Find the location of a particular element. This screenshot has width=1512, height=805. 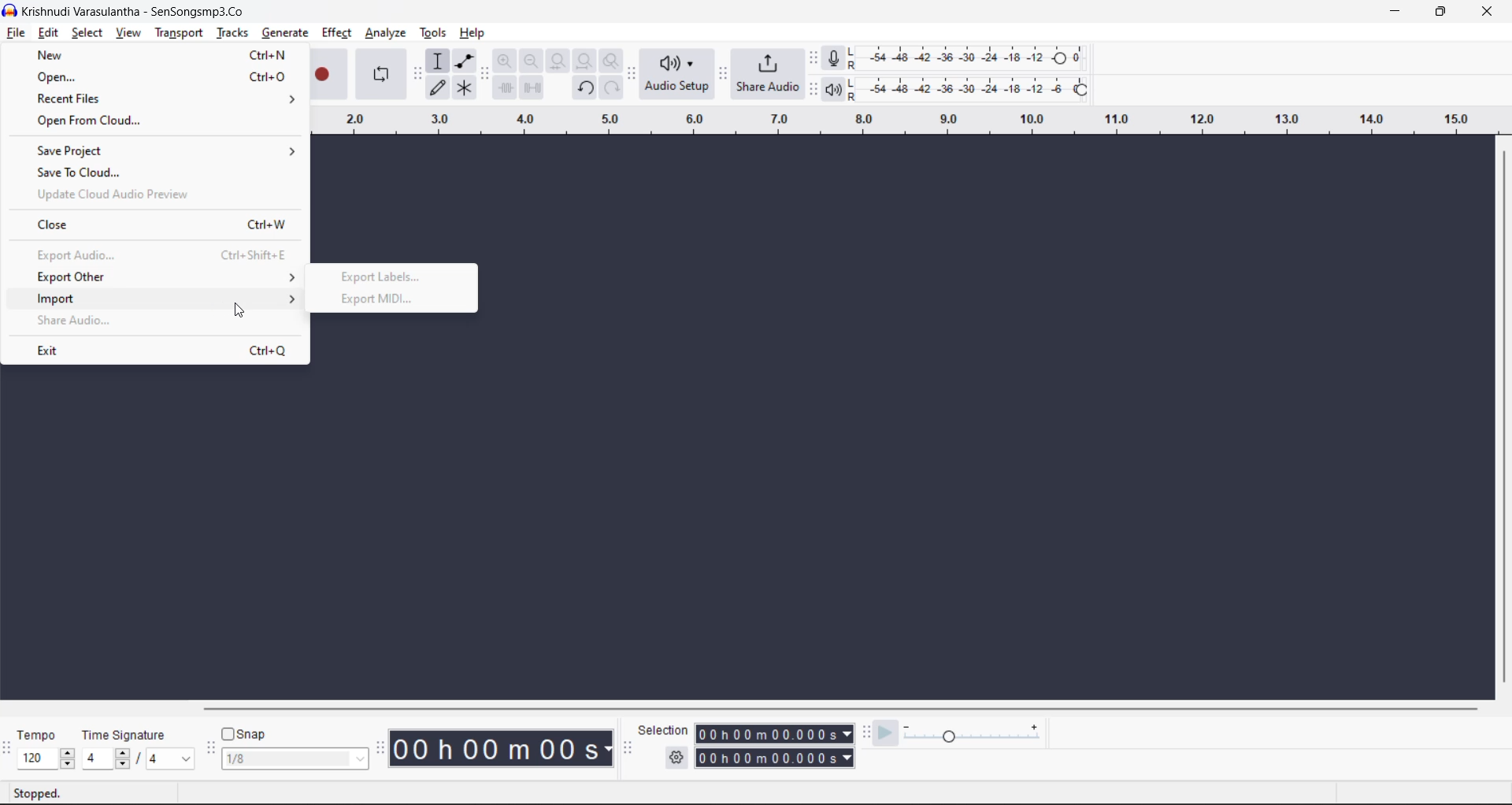

snap is located at coordinates (244, 734).